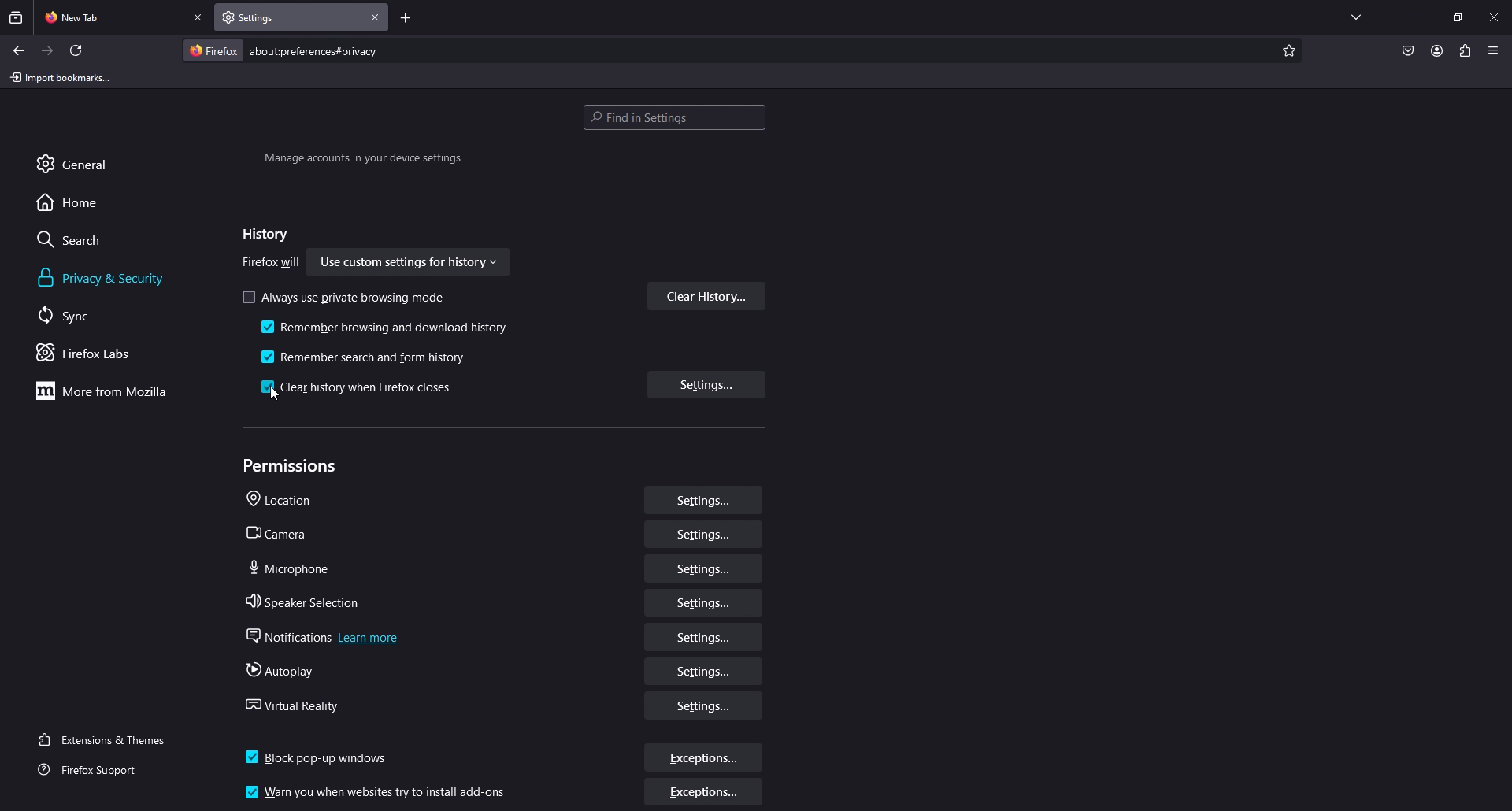 The height and width of the screenshot is (811, 1512). I want to click on camera, so click(280, 532).